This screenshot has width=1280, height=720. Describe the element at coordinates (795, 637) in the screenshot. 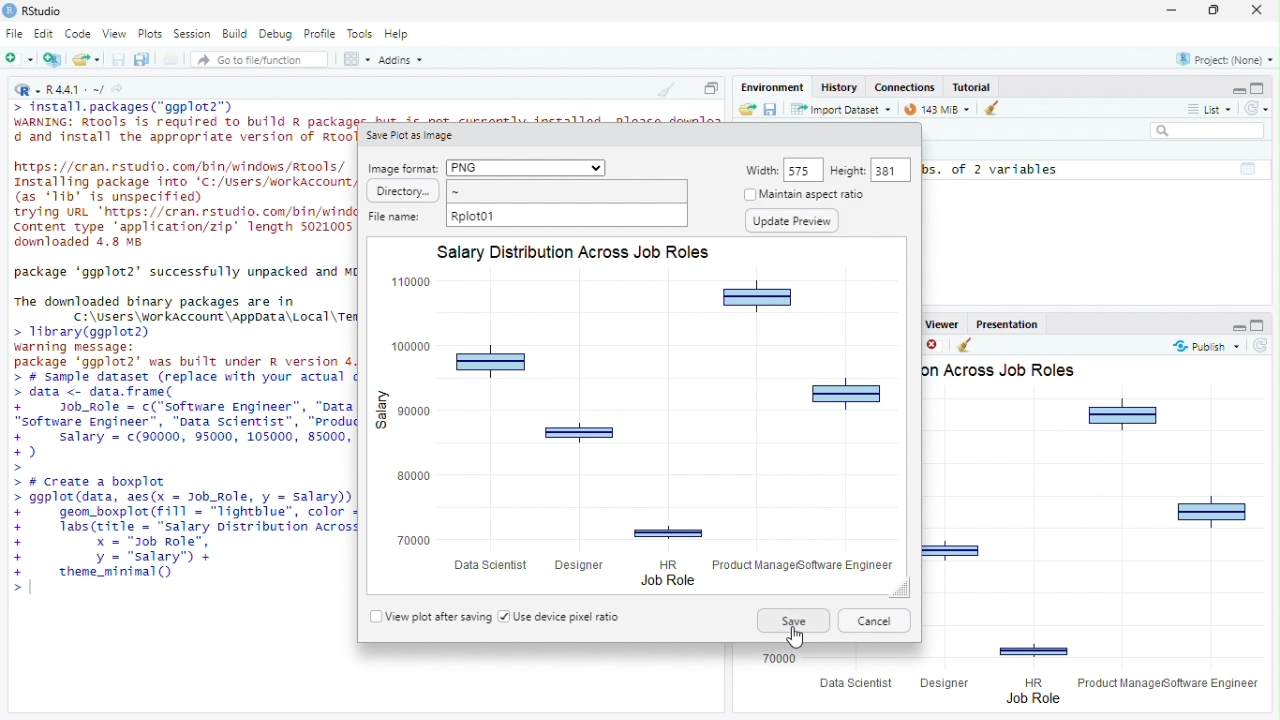

I see `Cursor` at that location.